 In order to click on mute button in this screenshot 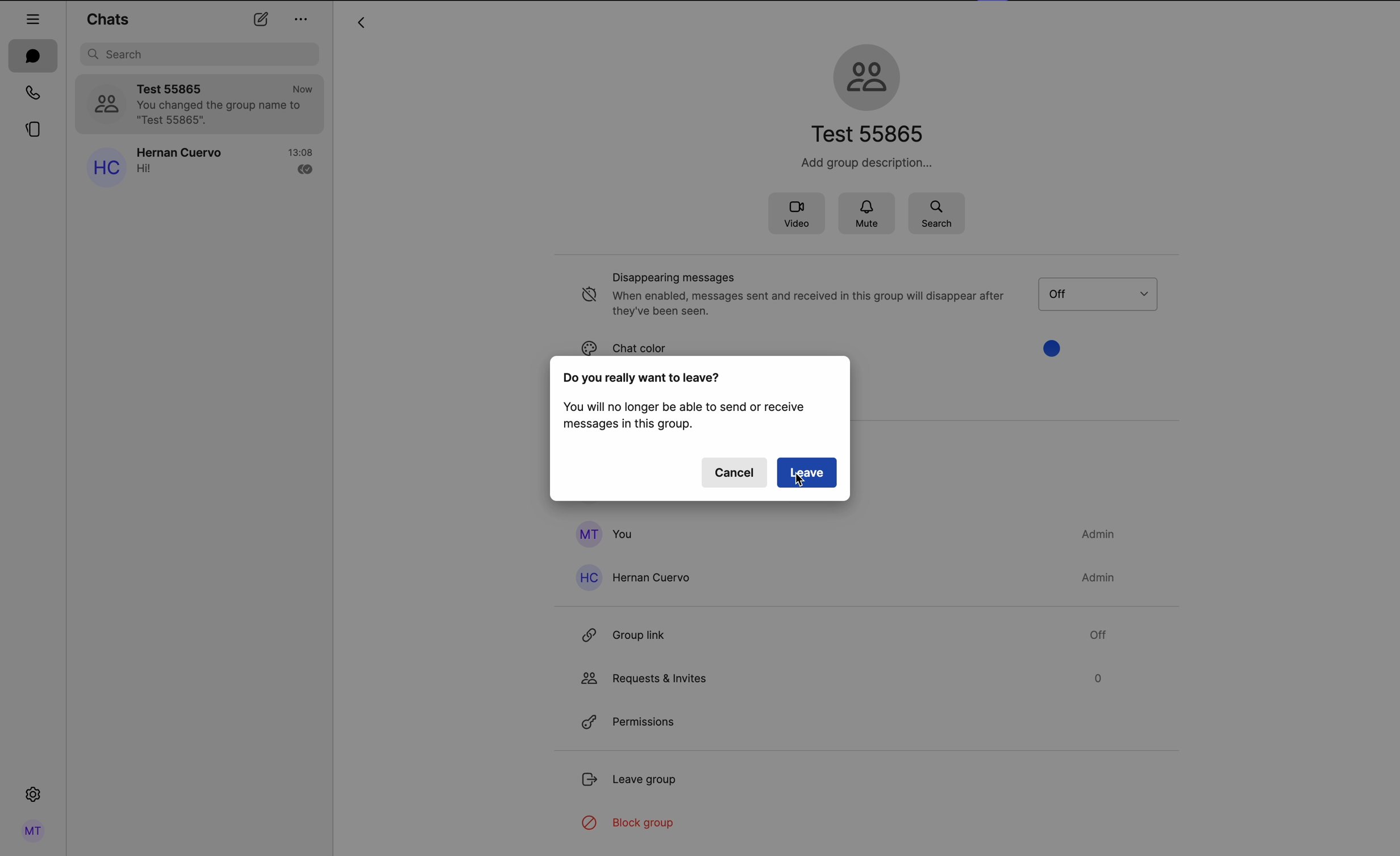, I will do `click(868, 214)`.